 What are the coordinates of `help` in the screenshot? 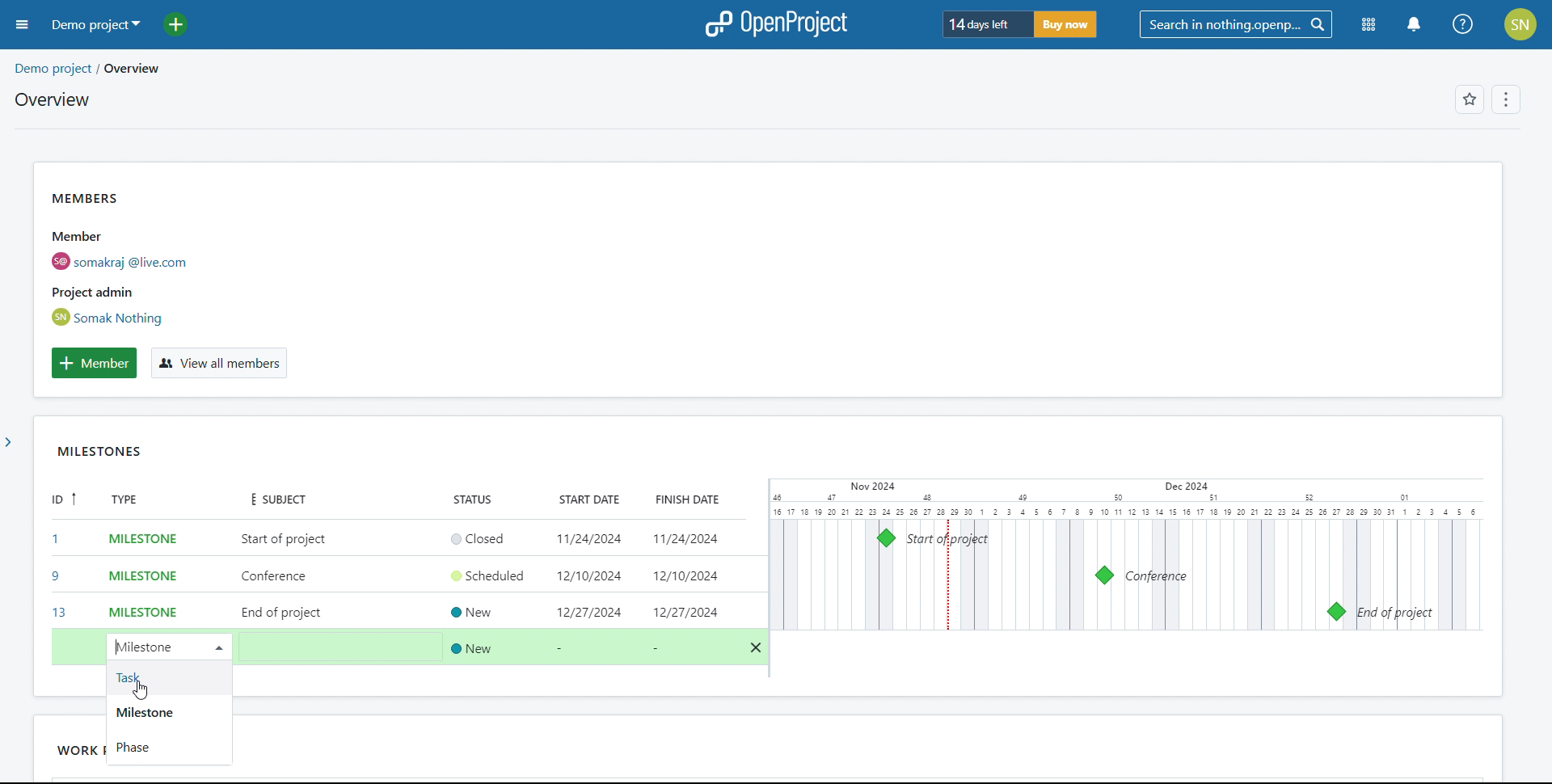 It's located at (1464, 24).